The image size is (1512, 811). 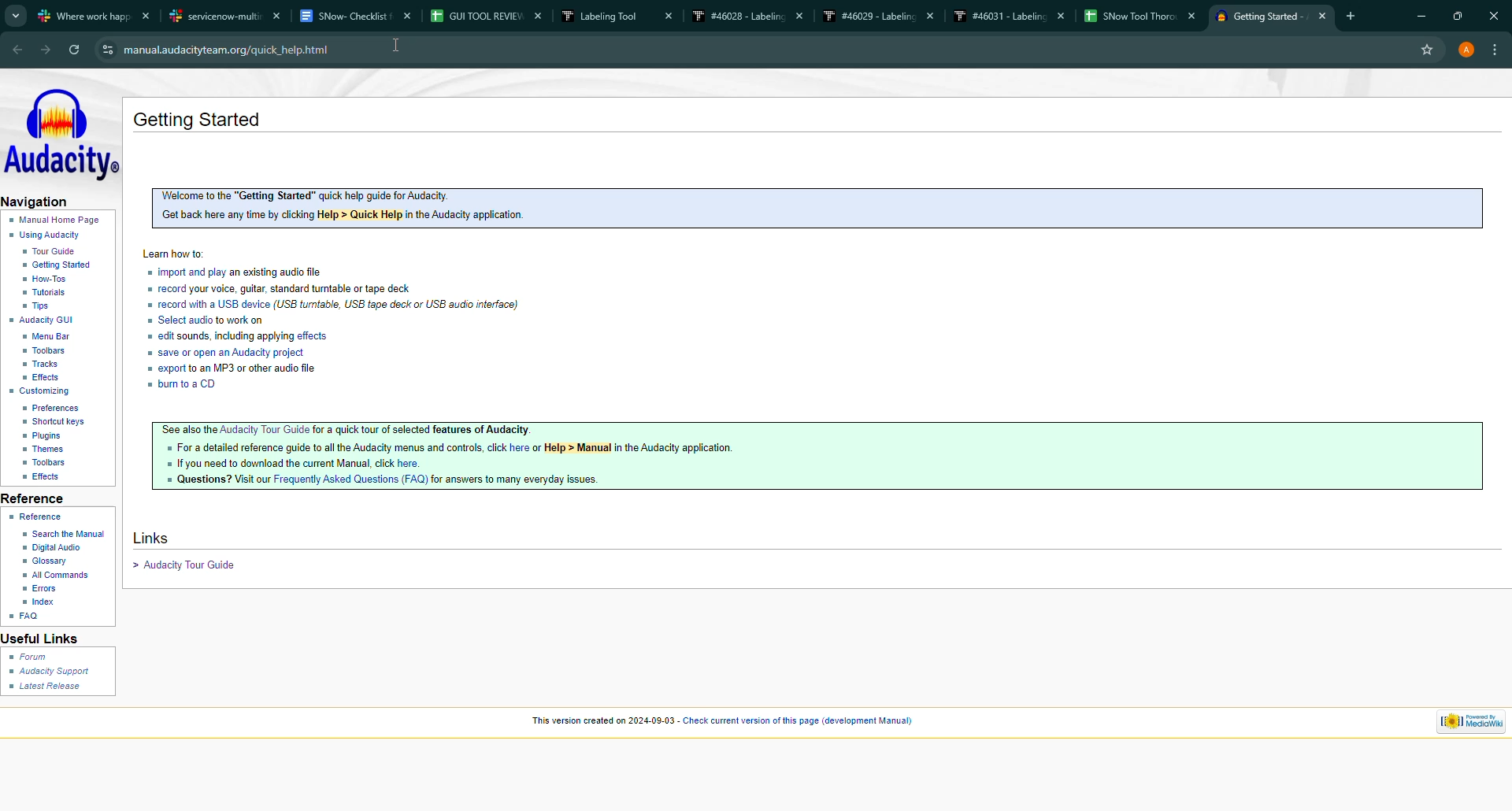 I want to click on SNow- Checklist , so click(x=354, y=17).